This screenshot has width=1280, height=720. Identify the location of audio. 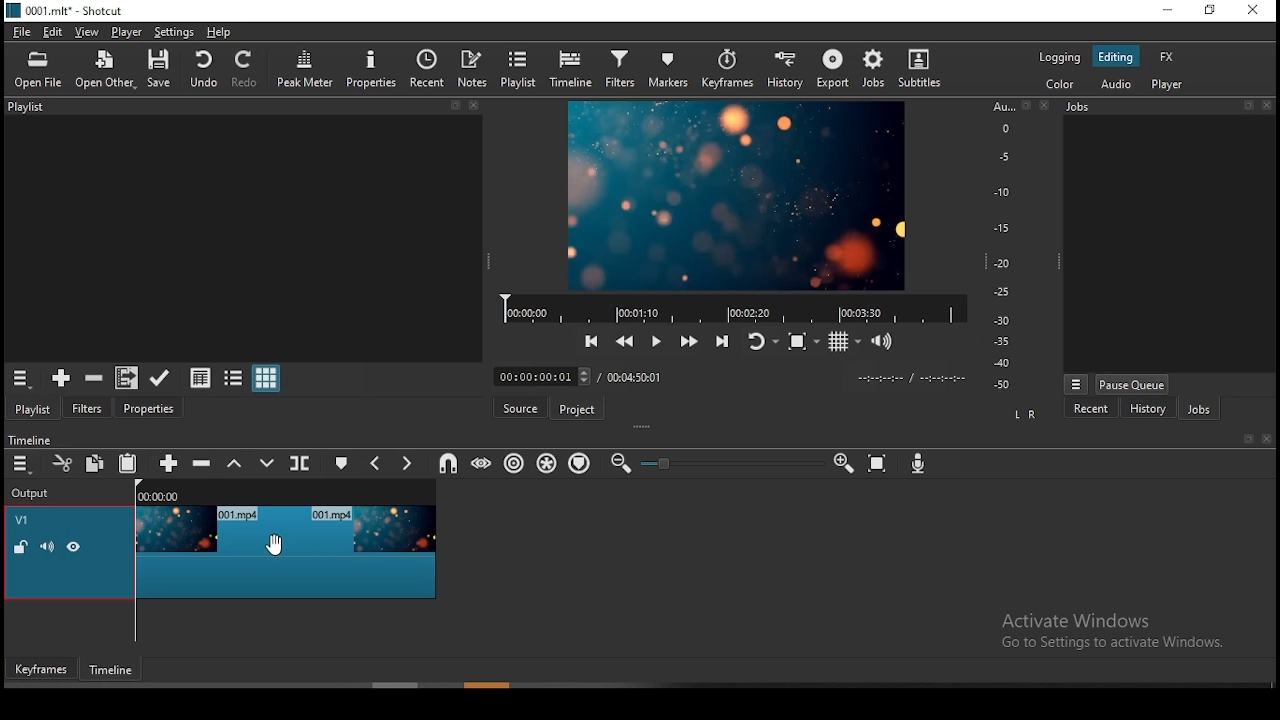
(1112, 82).